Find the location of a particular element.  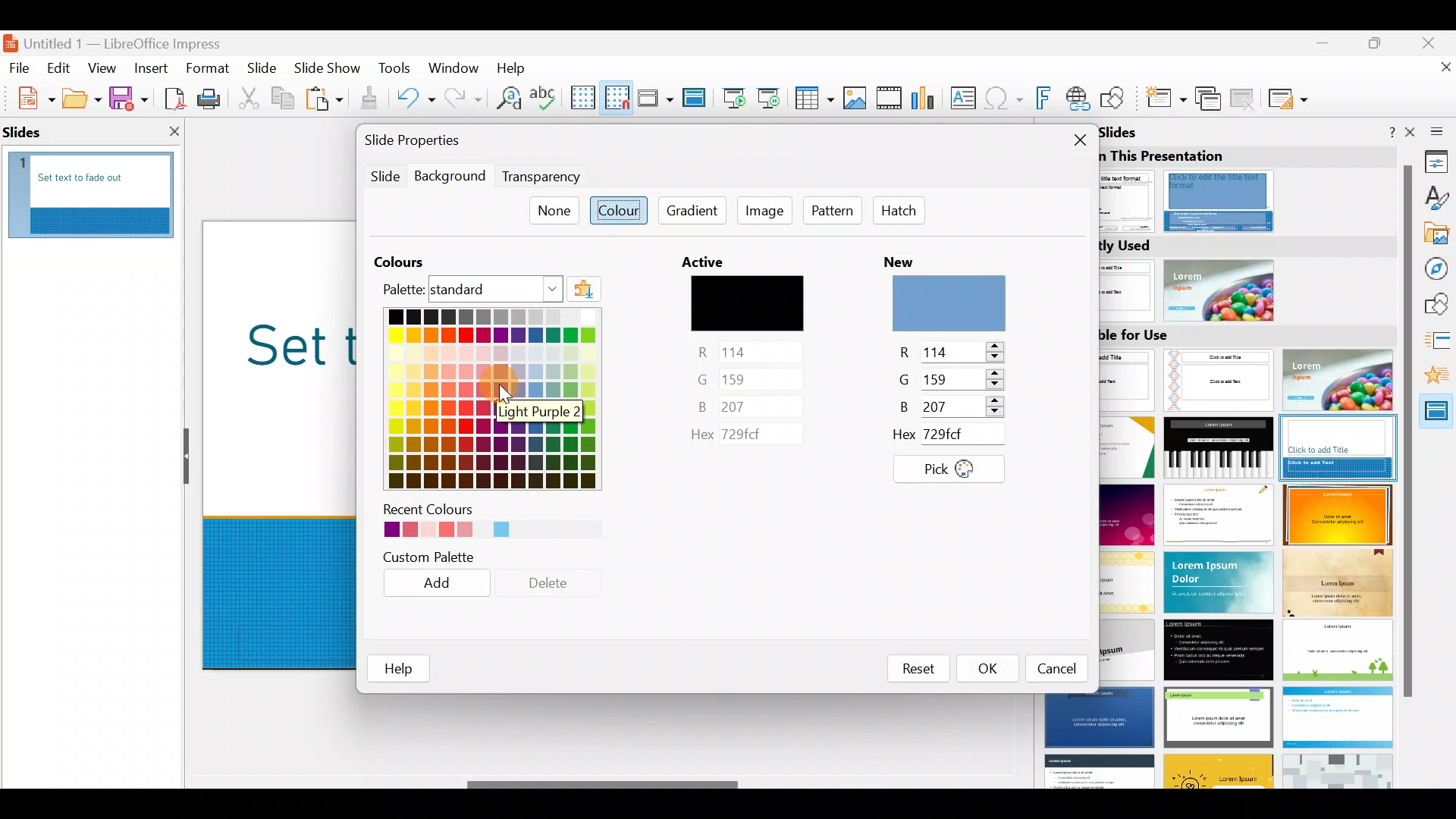

Insert audio or video is located at coordinates (890, 101).